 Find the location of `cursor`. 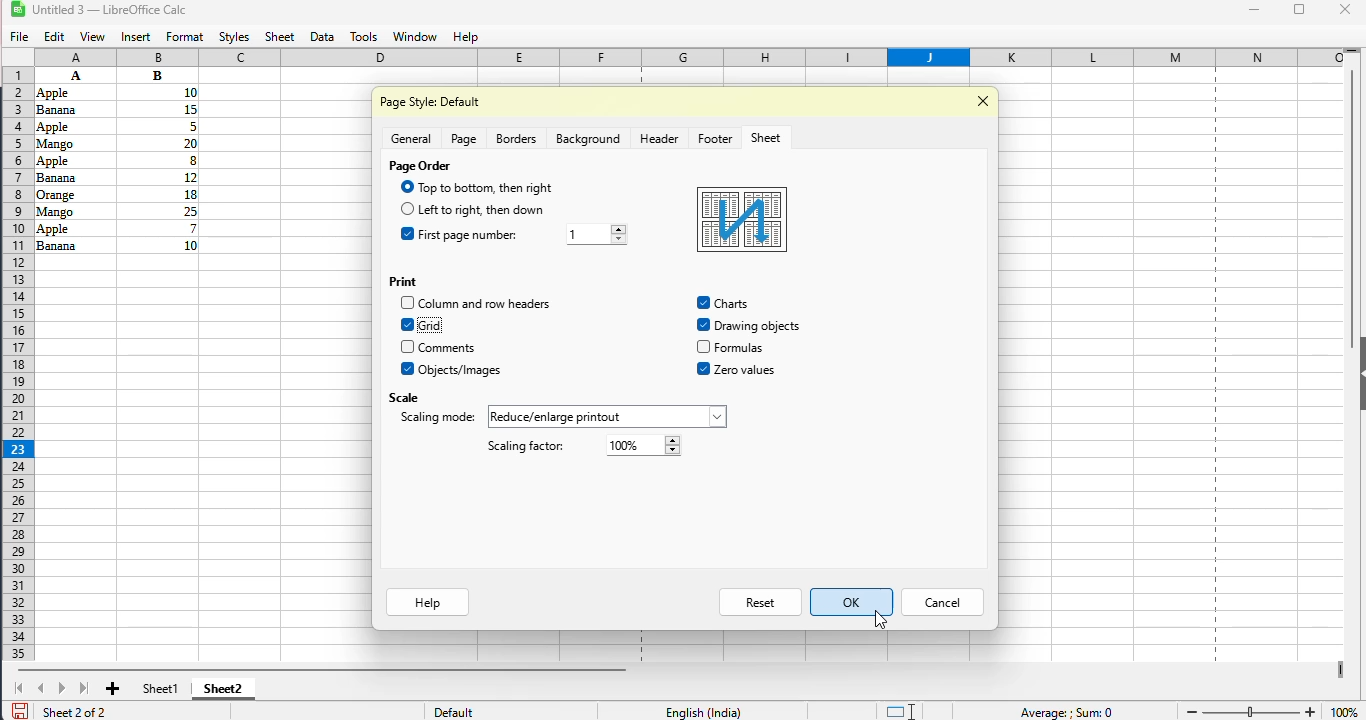

cursor is located at coordinates (881, 620).